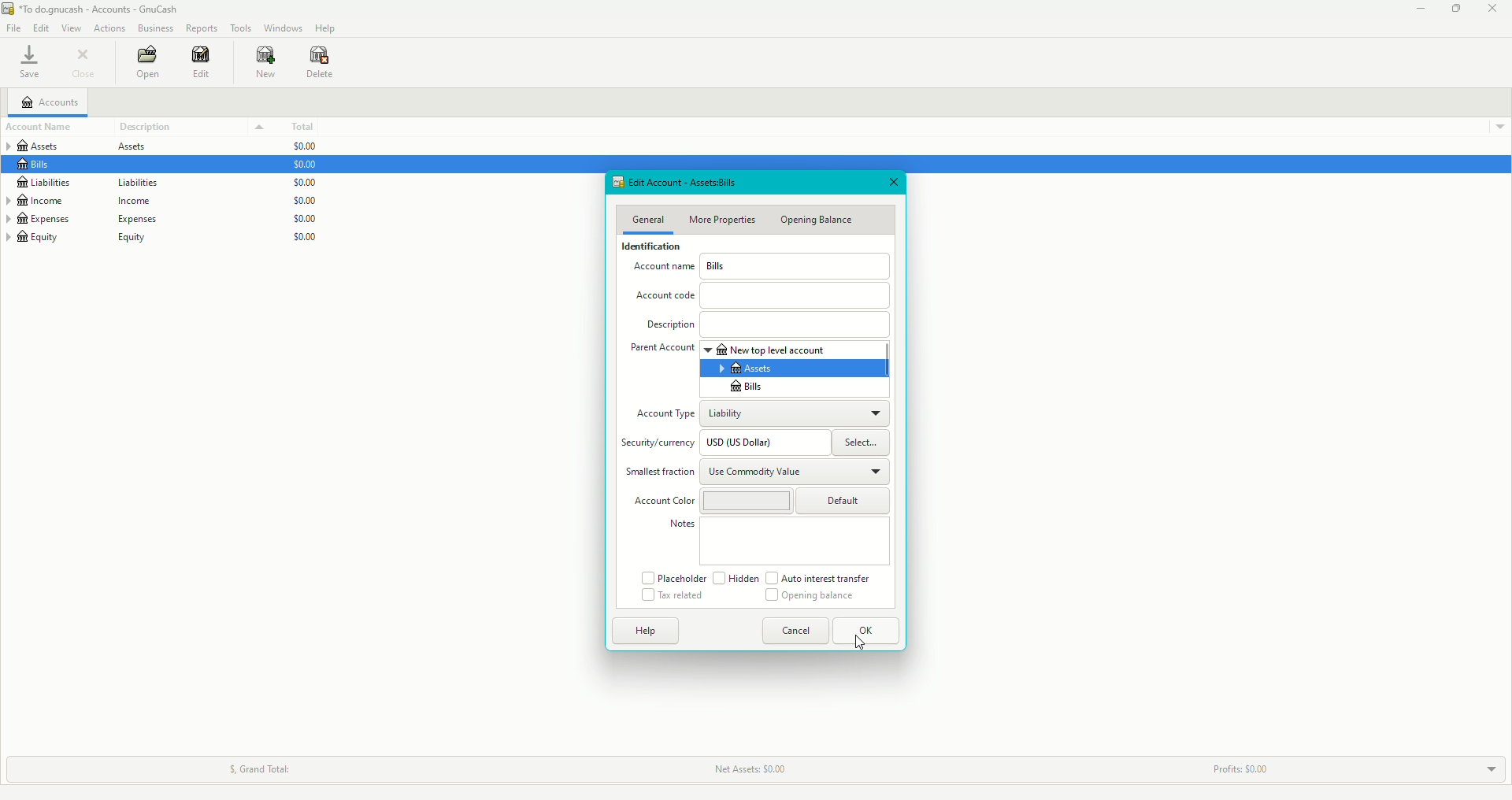  What do you see at coordinates (844, 502) in the screenshot?
I see `Default` at bounding box center [844, 502].